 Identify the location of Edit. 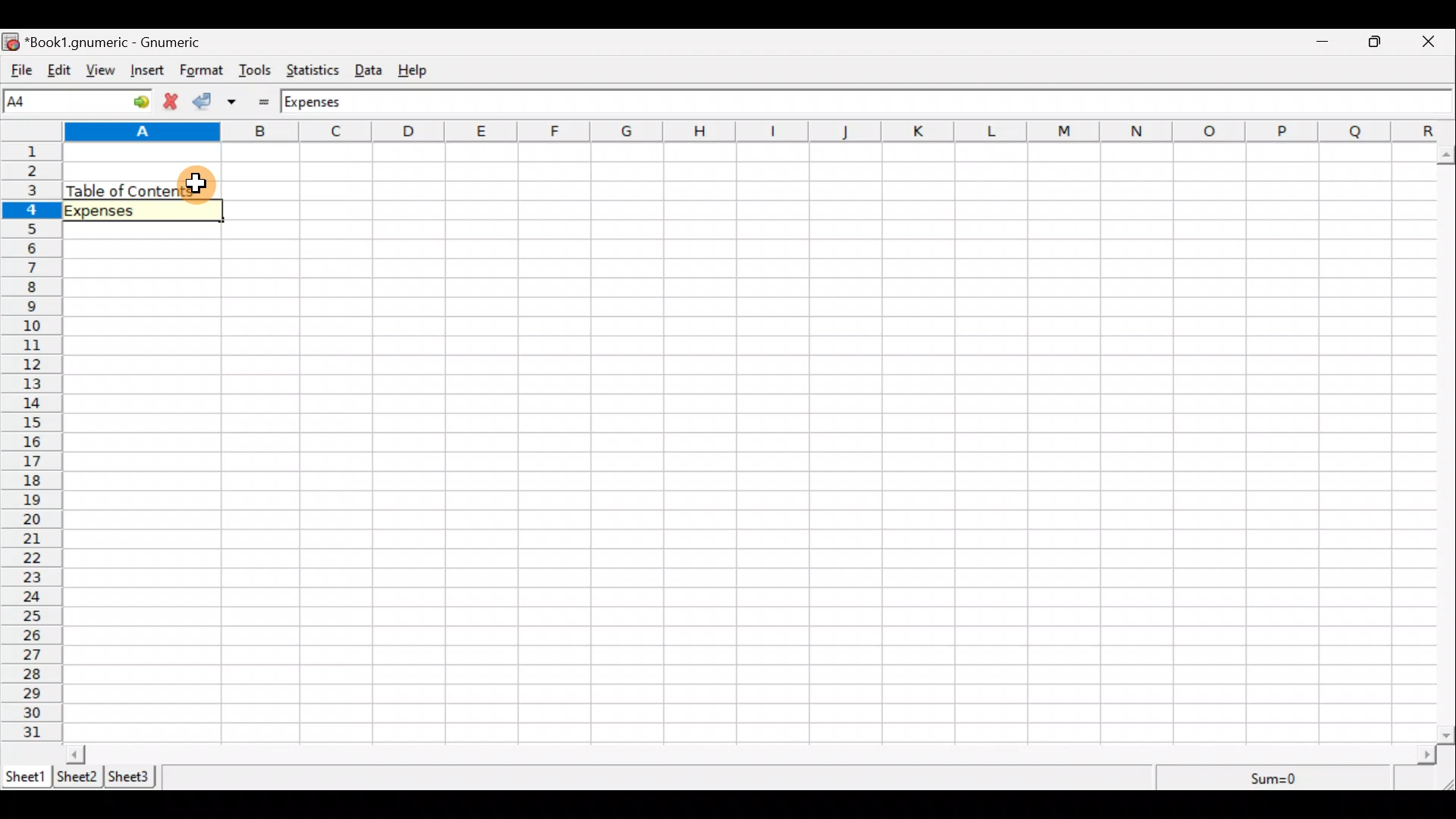
(58, 71).